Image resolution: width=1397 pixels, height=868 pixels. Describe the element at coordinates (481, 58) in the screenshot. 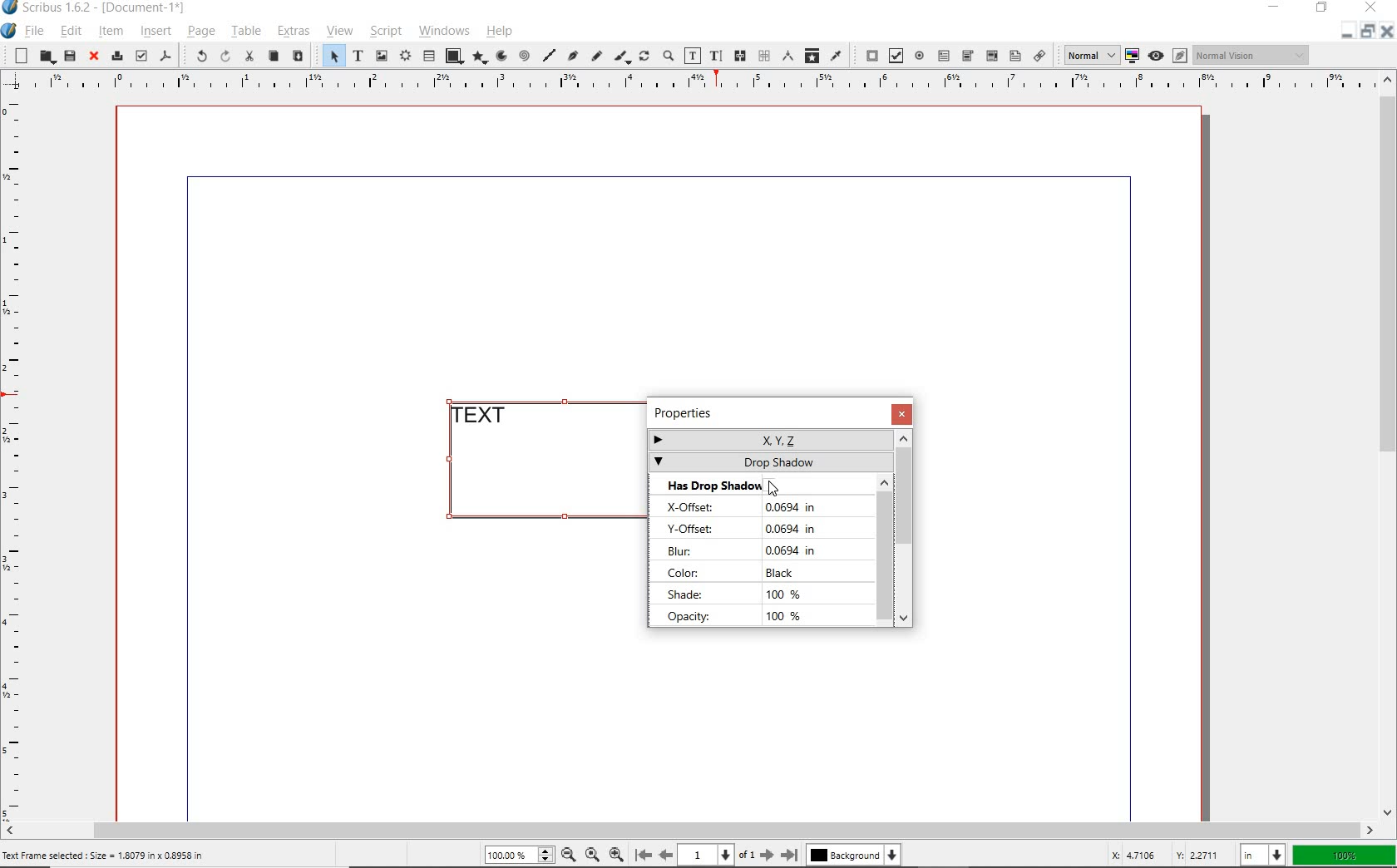

I see `polygon` at that location.